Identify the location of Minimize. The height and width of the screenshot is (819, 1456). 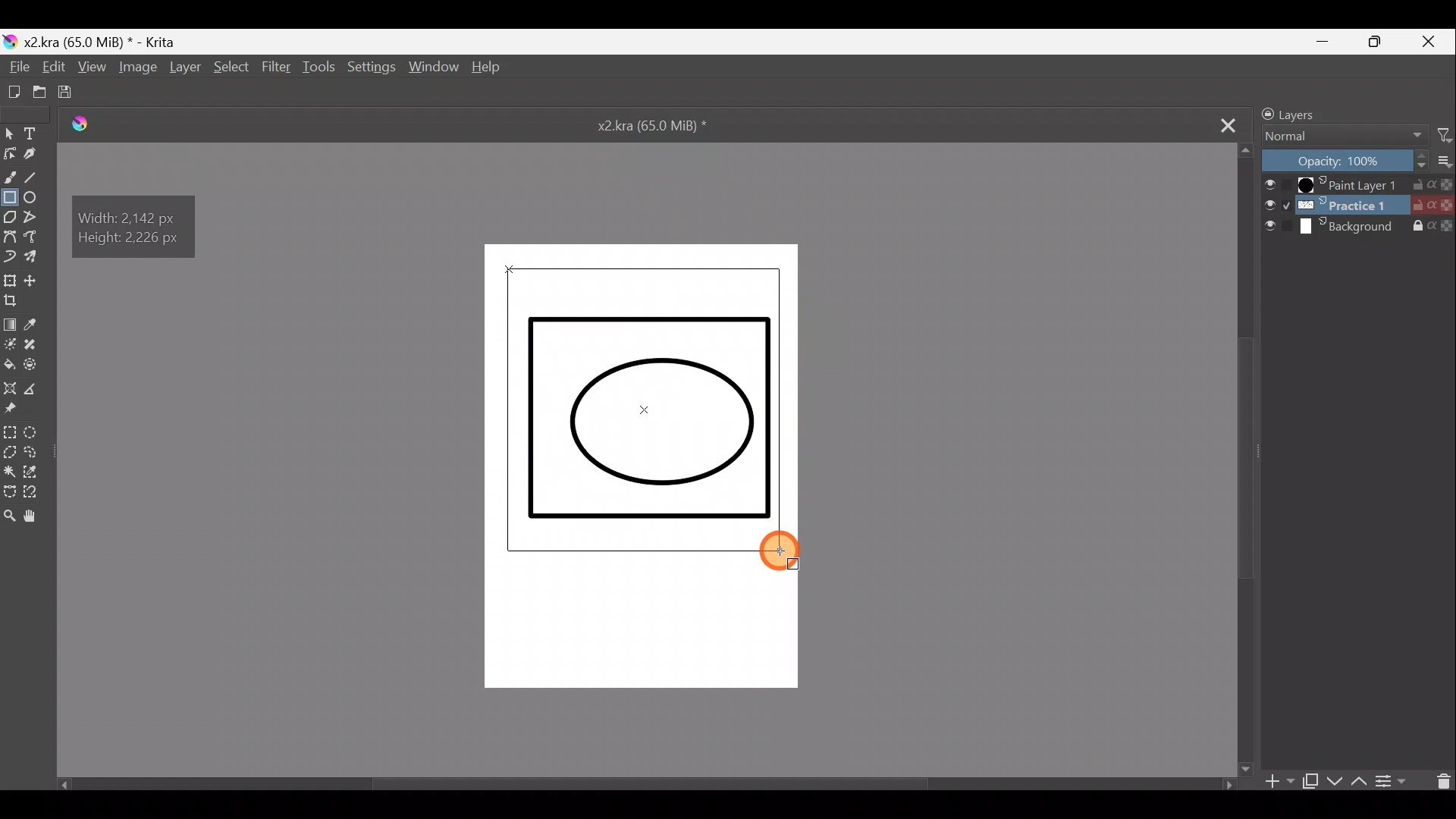
(1317, 40).